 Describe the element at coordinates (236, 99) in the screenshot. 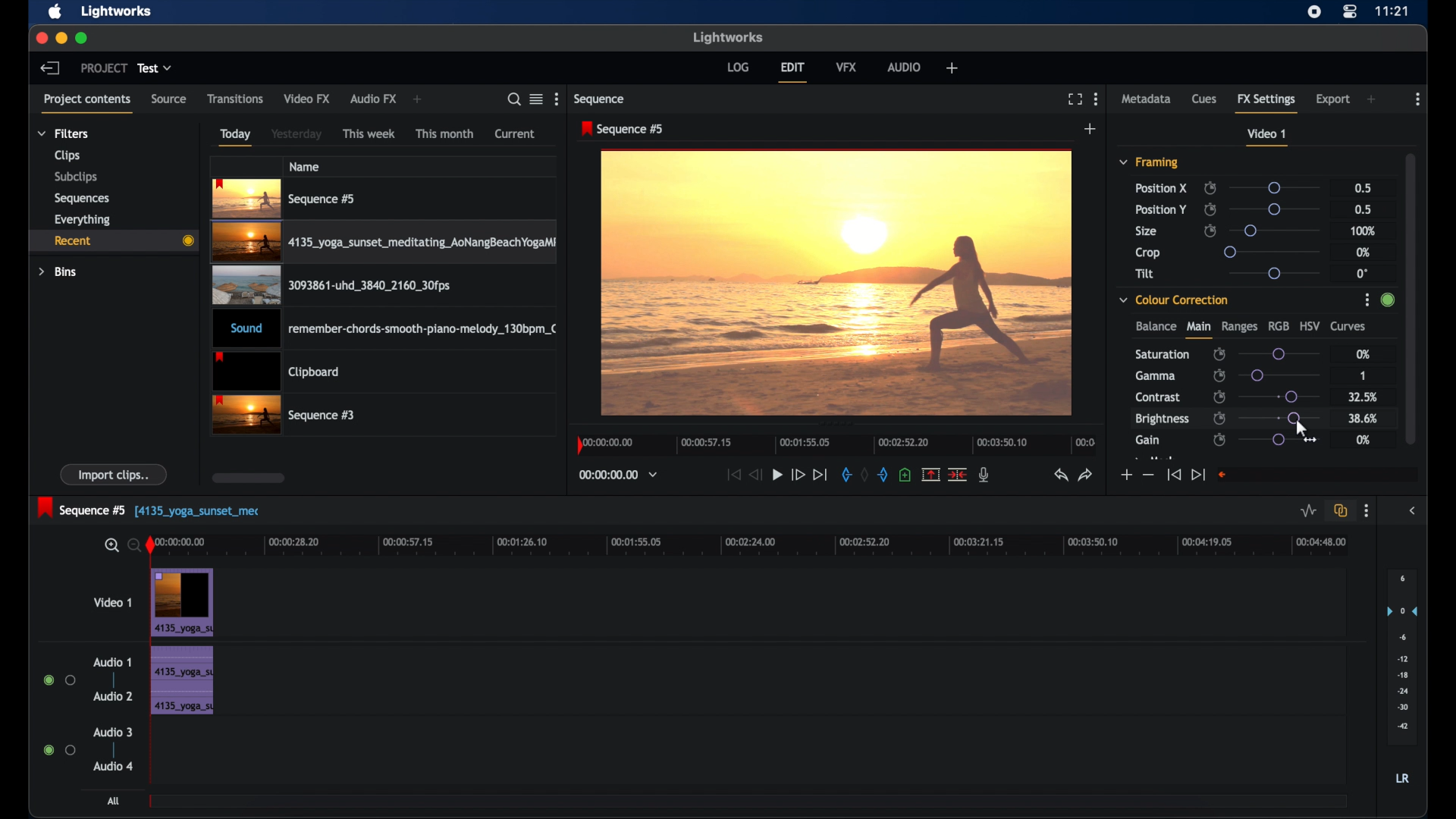

I see `transitions` at that location.